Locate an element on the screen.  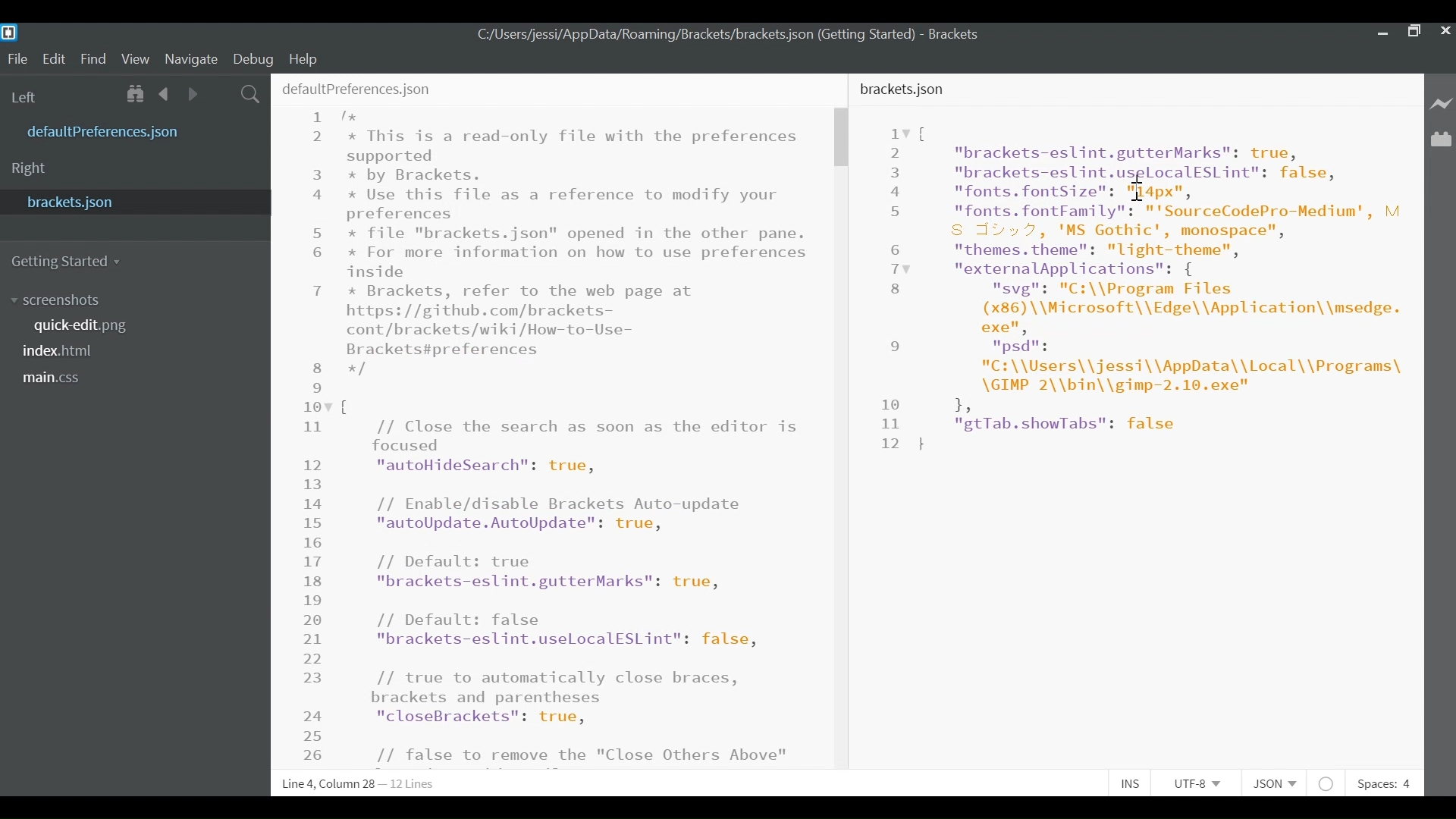
Toggle Insert or Overwrite is located at coordinates (1128, 782).